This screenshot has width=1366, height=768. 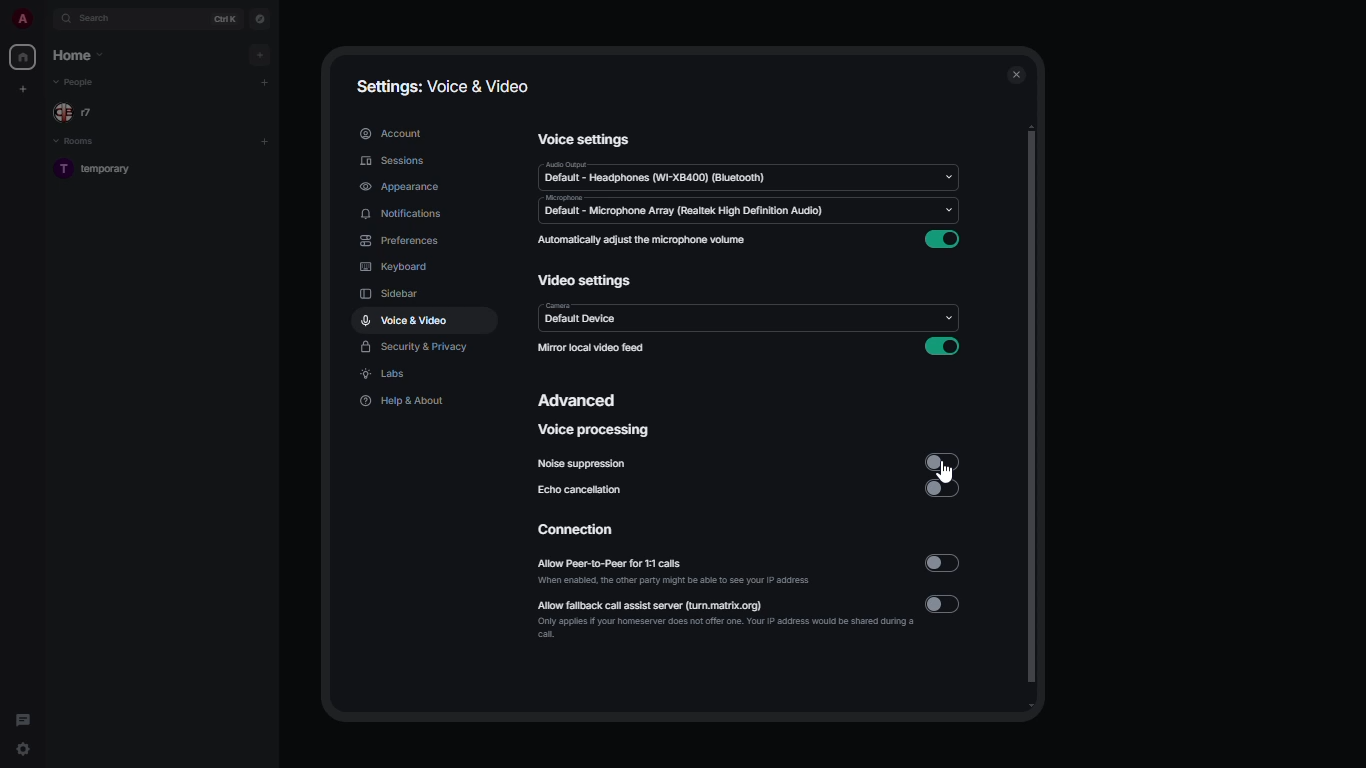 I want to click on rooms, so click(x=77, y=142).